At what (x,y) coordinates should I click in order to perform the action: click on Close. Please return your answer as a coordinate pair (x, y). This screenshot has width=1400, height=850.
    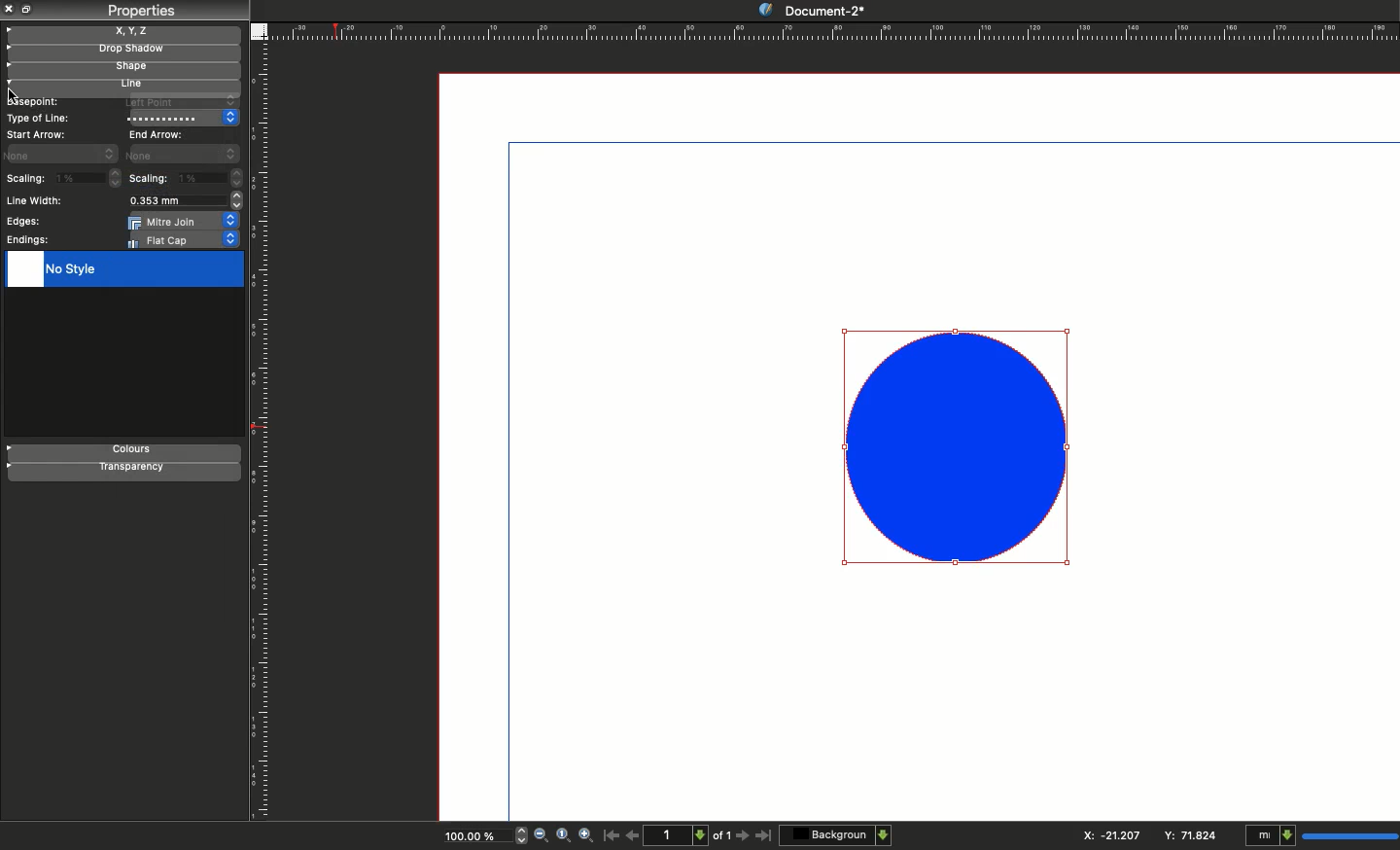
    Looking at the image, I should click on (10, 9).